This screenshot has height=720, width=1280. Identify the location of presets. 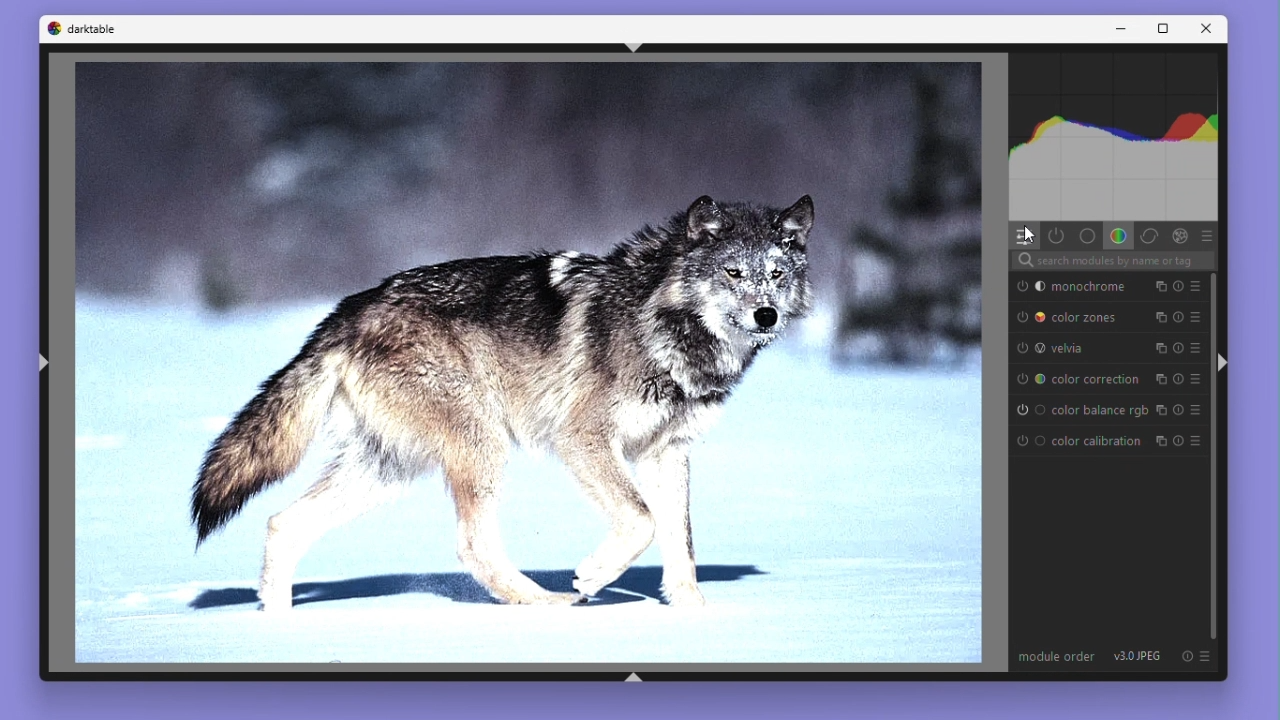
(1197, 380).